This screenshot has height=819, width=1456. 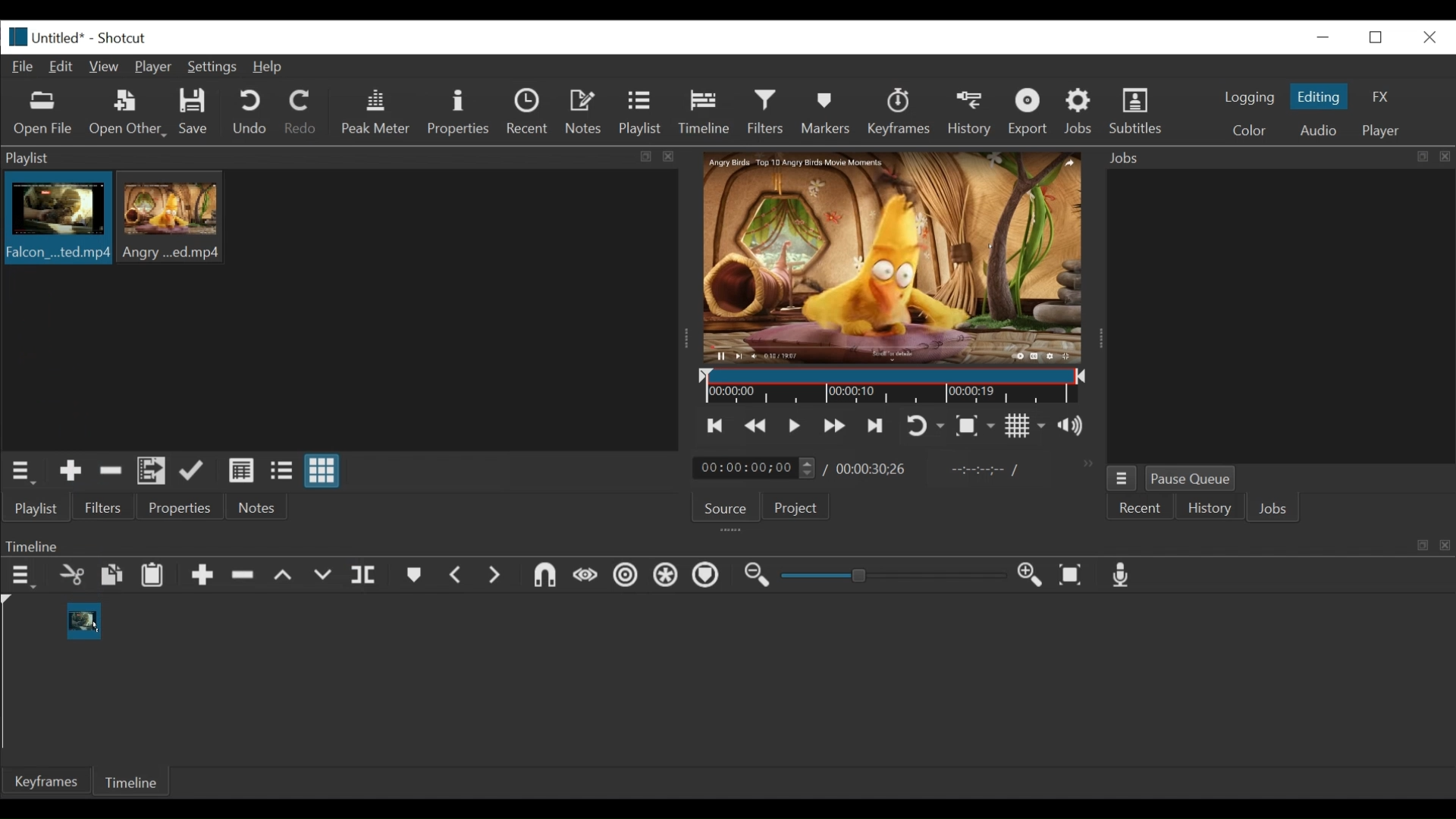 What do you see at coordinates (111, 473) in the screenshot?
I see `Remove cut` at bounding box center [111, 473].